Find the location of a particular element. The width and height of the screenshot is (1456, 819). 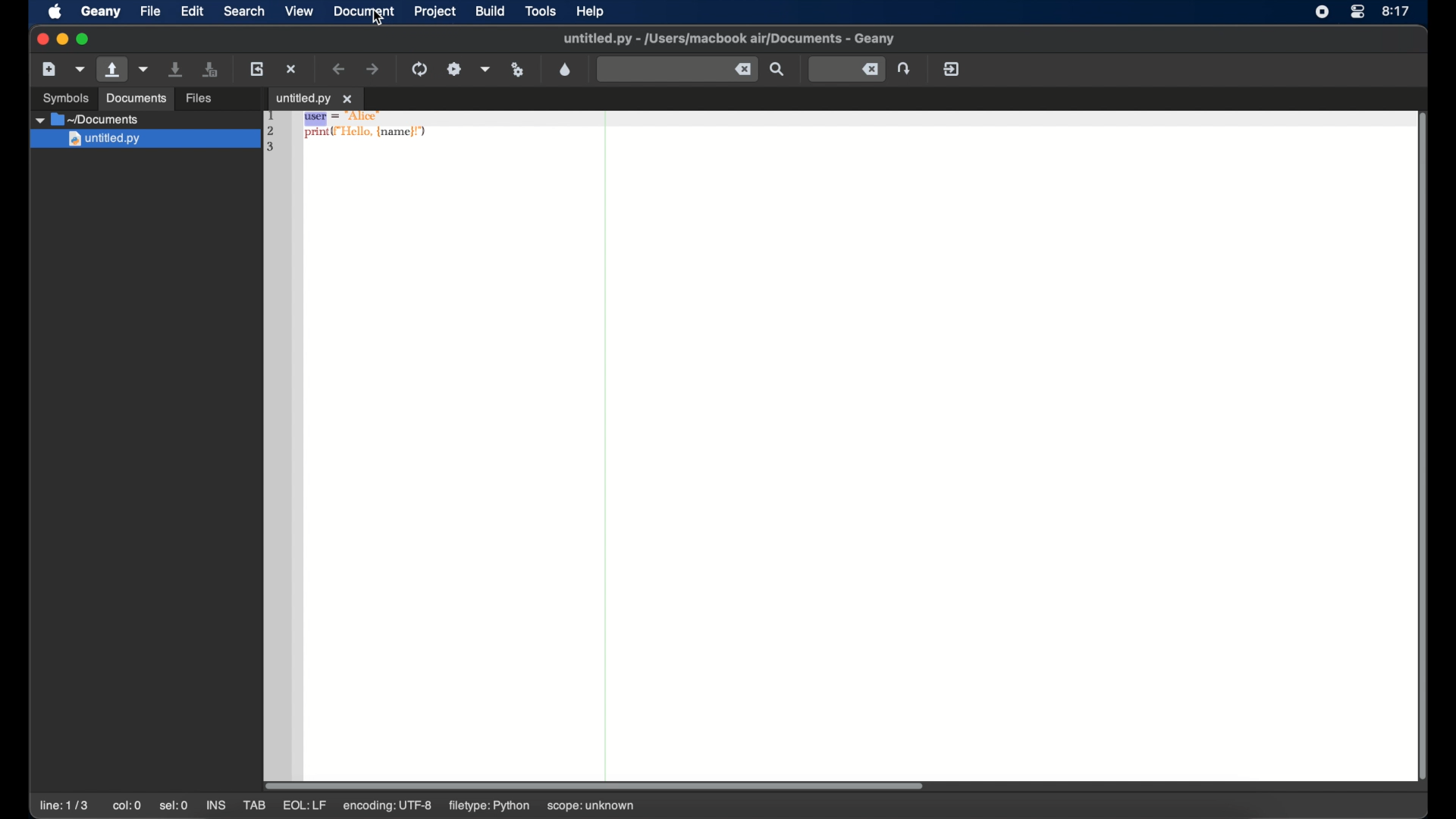

control center is located at coordinates (1357, 12).